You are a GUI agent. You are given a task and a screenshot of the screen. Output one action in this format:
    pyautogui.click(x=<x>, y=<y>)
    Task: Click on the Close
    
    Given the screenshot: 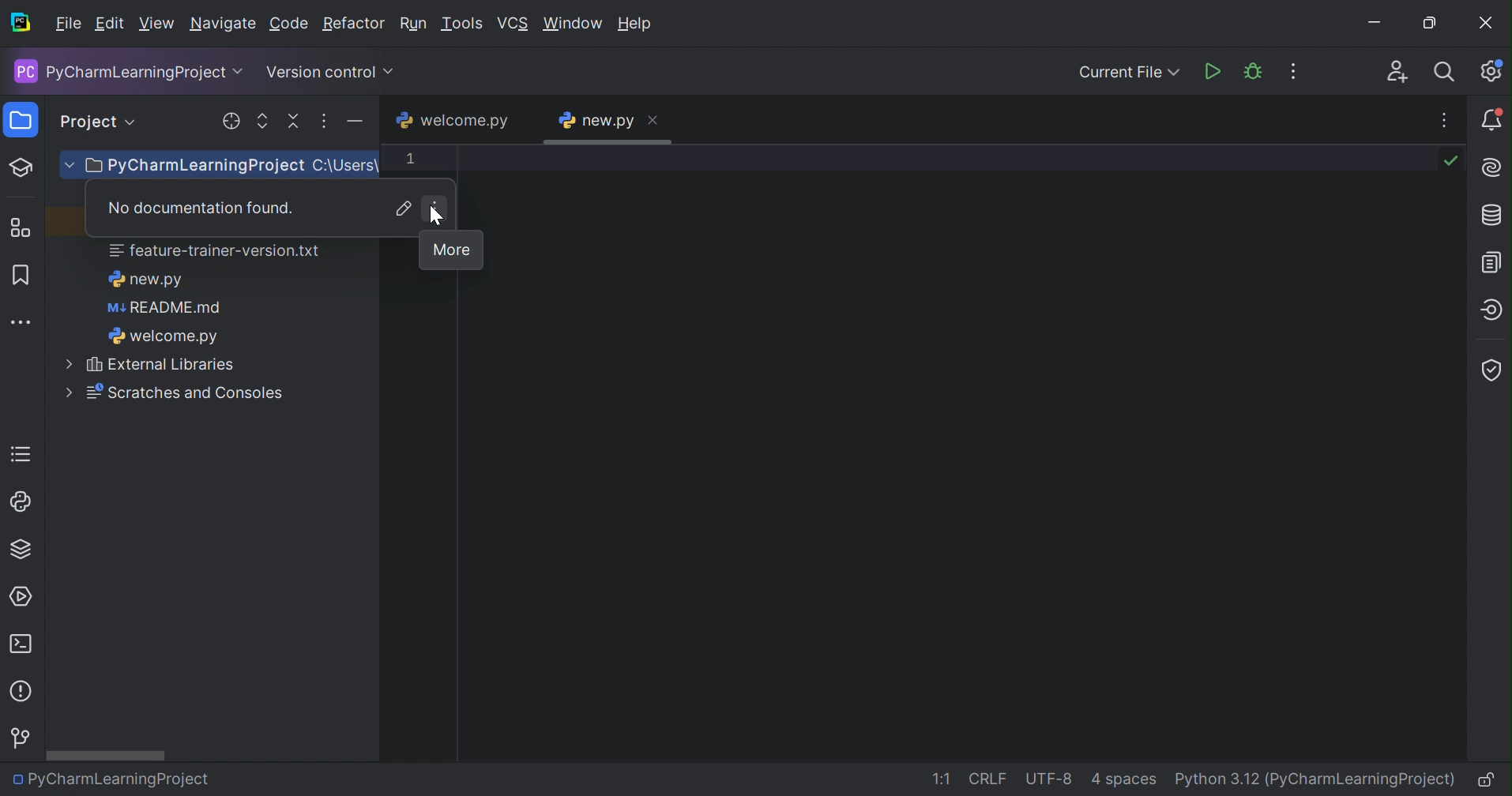 What is the action you would take?
    pyautogui.click(x=1488, y=24)
    